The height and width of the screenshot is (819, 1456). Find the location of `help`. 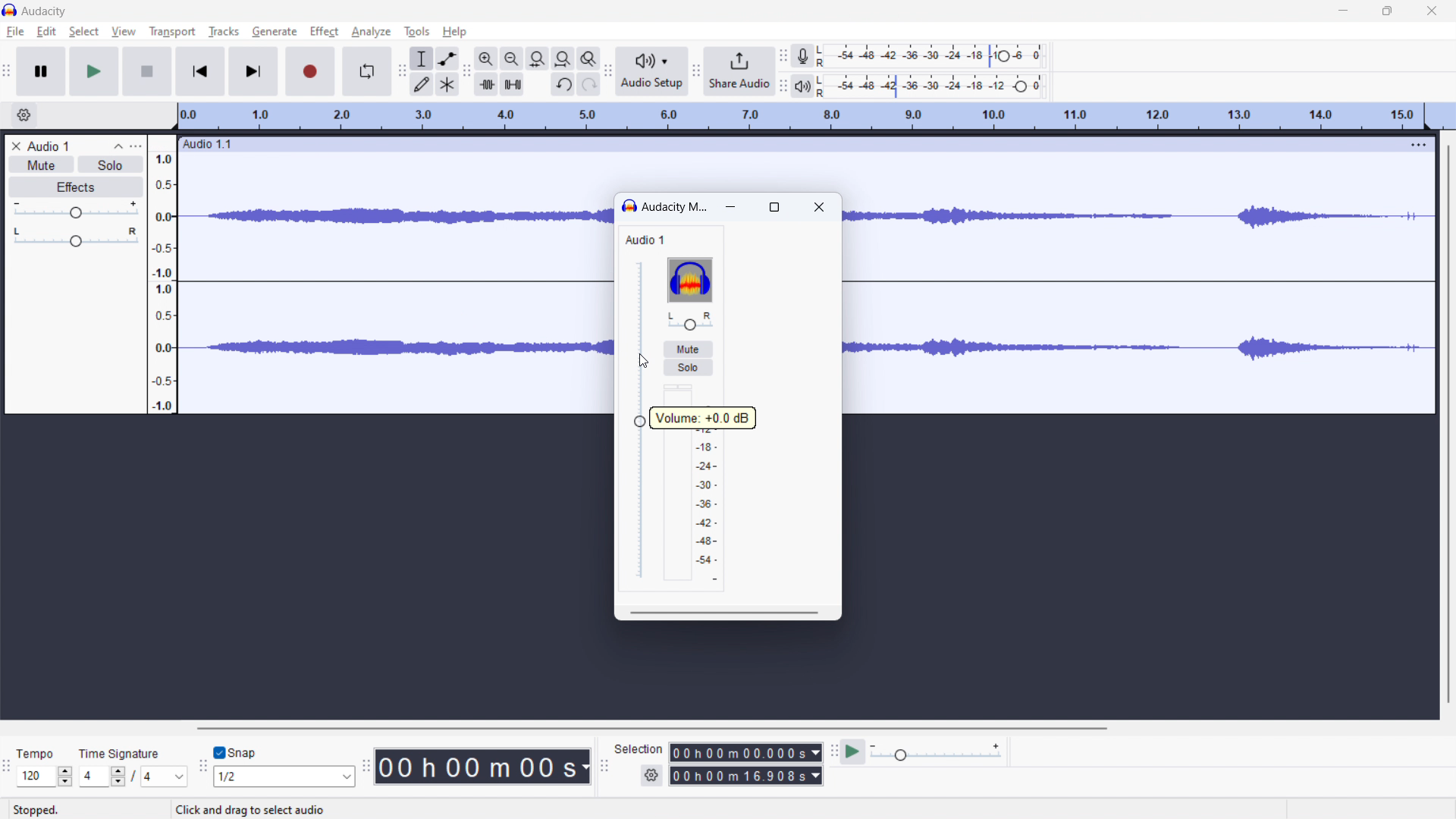

help is located at coordinates (454, 33).